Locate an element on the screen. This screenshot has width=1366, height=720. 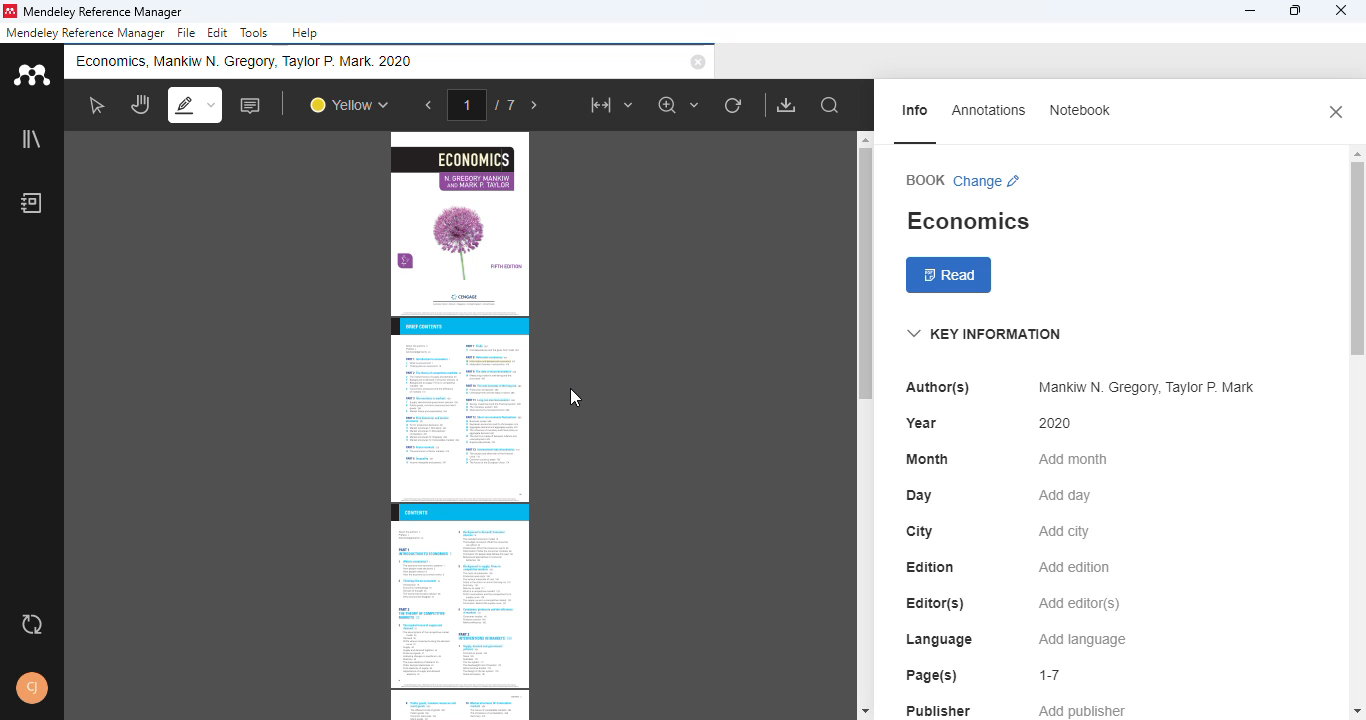
notebook is located at coordinates (1078, 110).